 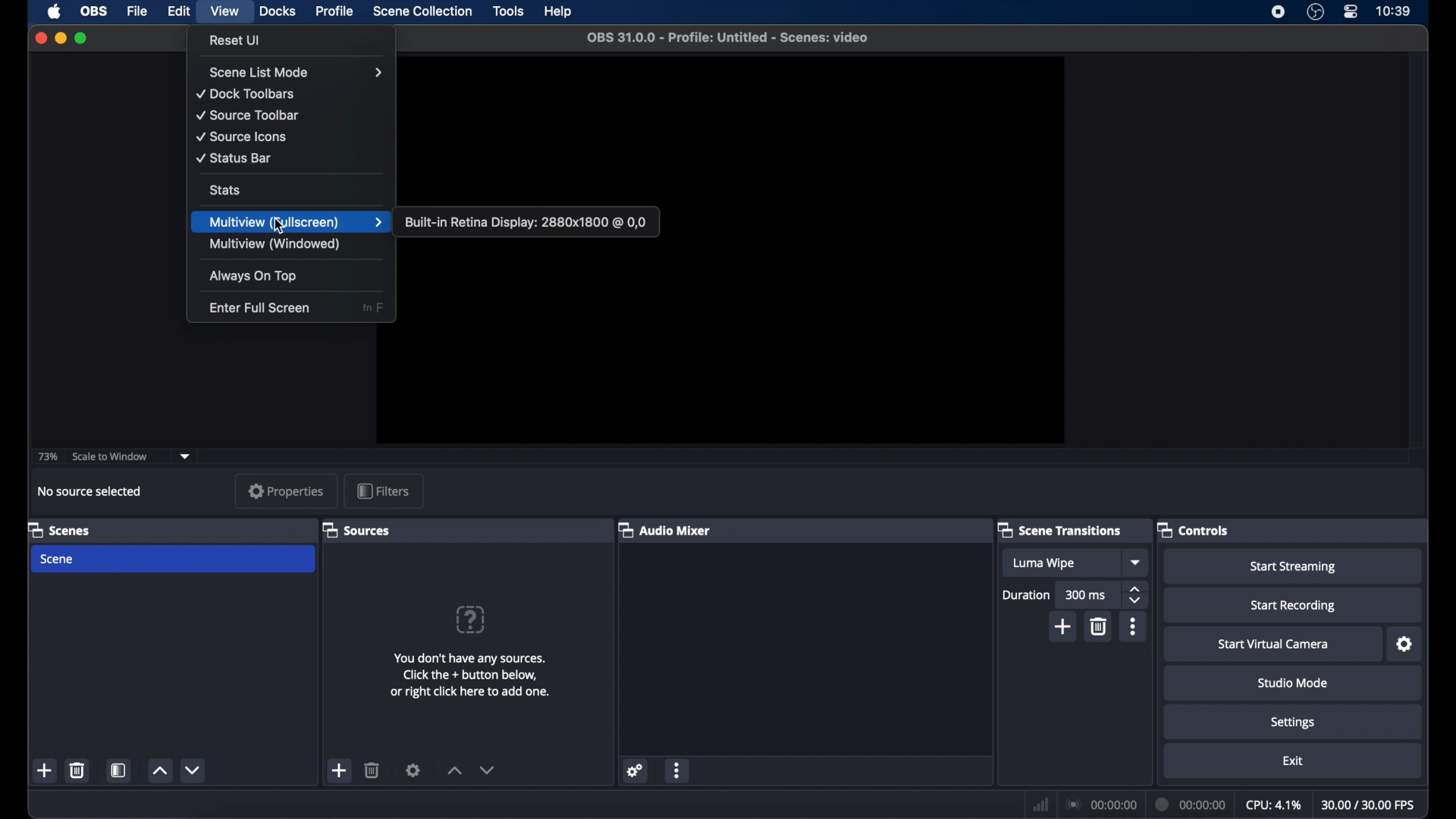 What do you see at coordinates (386, 490) in the screenshot?
I see `filters` at bounding box center [386, 490].